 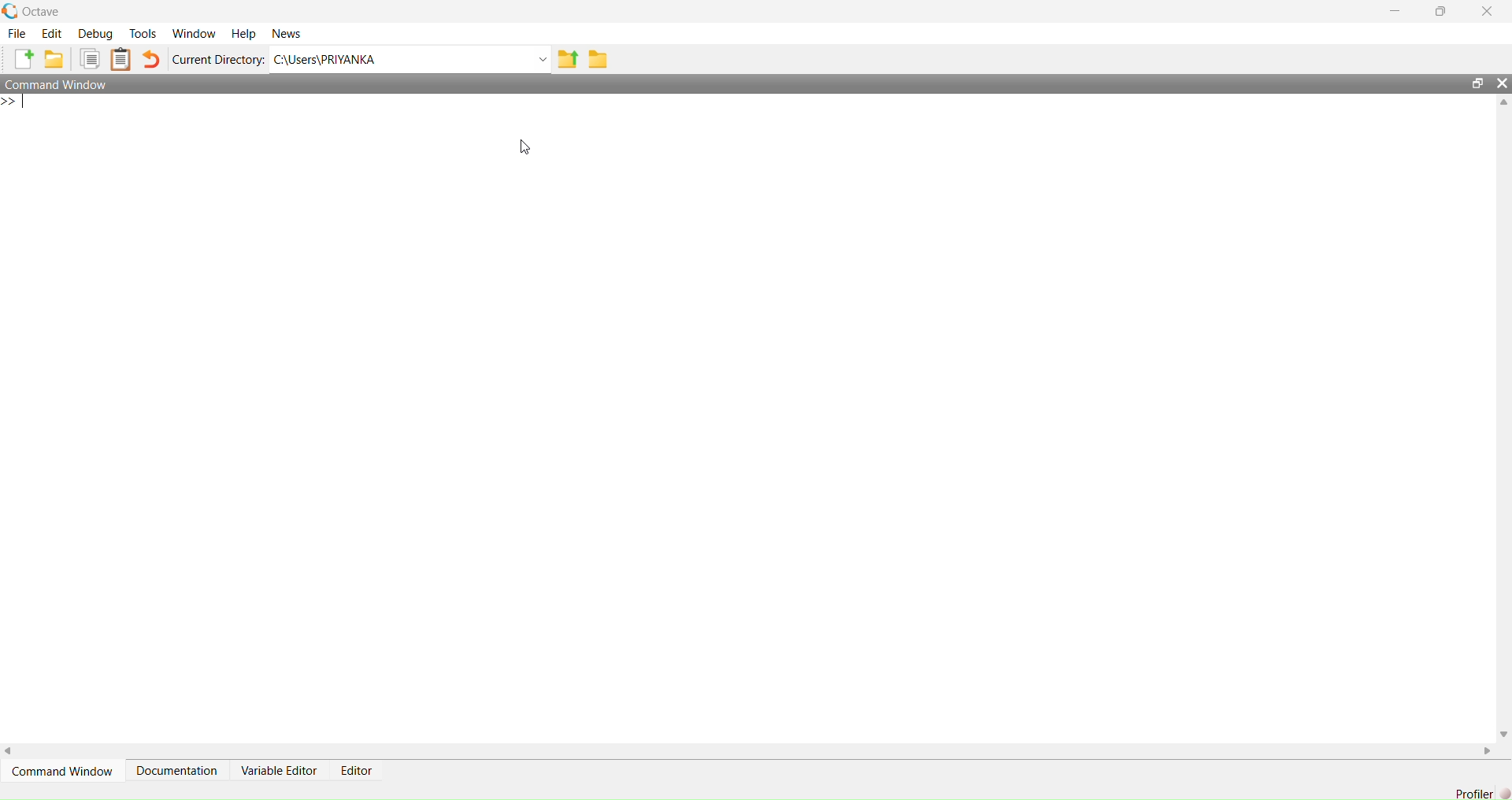 What do you see at coordinates (41, 10) in the screenshot?
I see `Octave` at bounding box center [41, 10].